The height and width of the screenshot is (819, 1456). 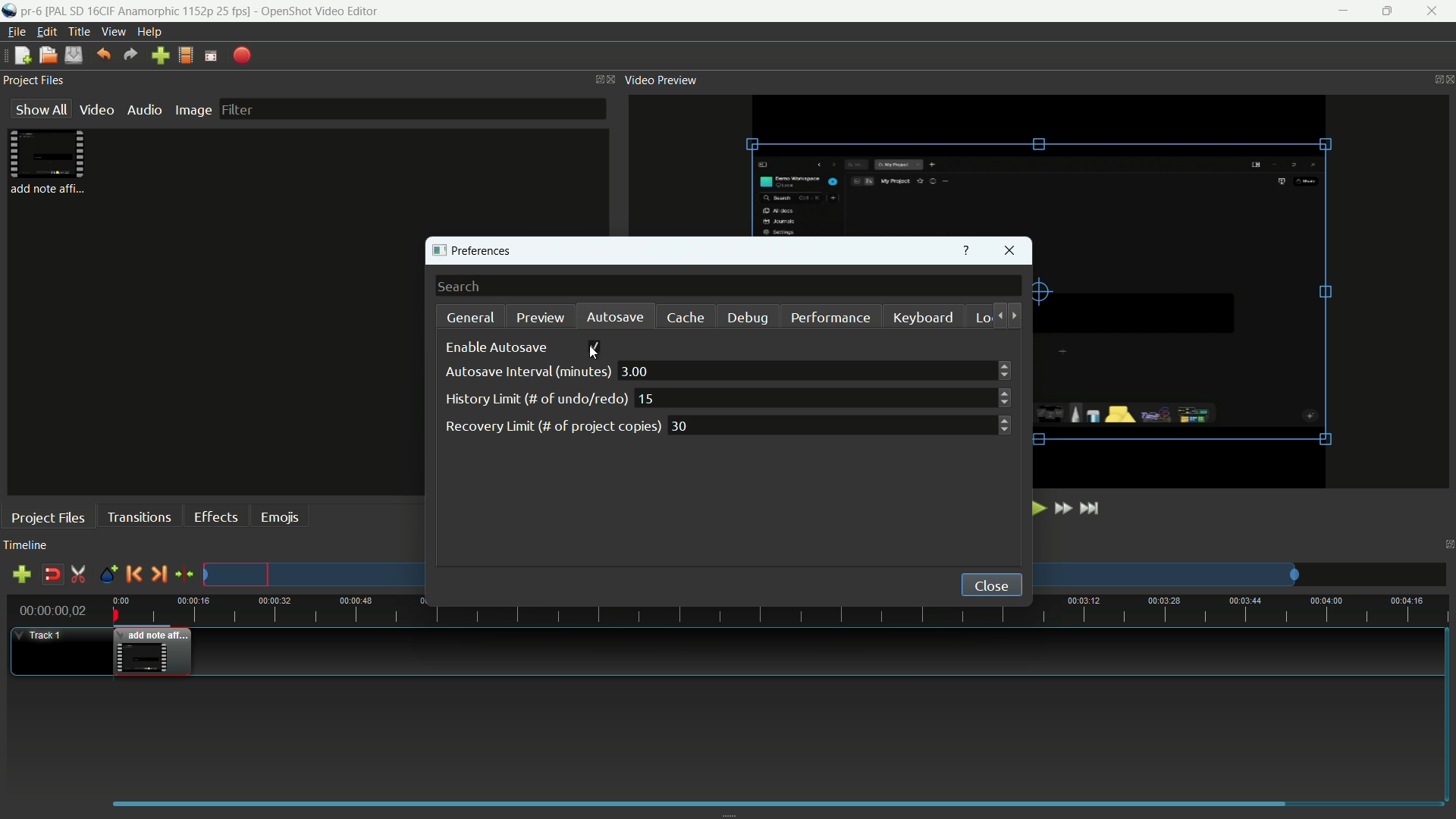 I want to click on filter bar, so click(x=412, y=109).